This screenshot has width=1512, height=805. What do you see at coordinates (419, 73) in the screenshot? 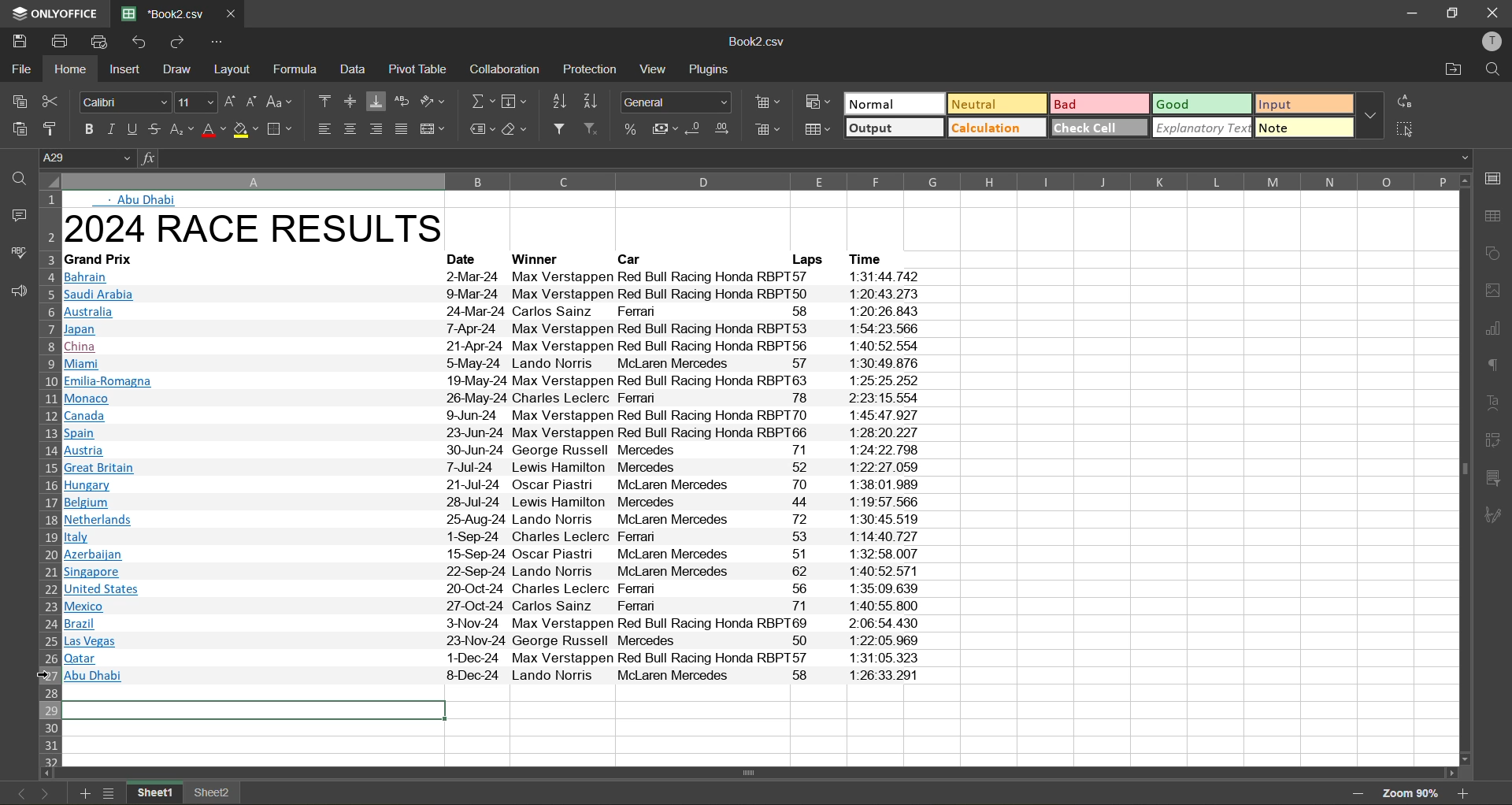
I see `pivot table` at bounding box center [419, 73].